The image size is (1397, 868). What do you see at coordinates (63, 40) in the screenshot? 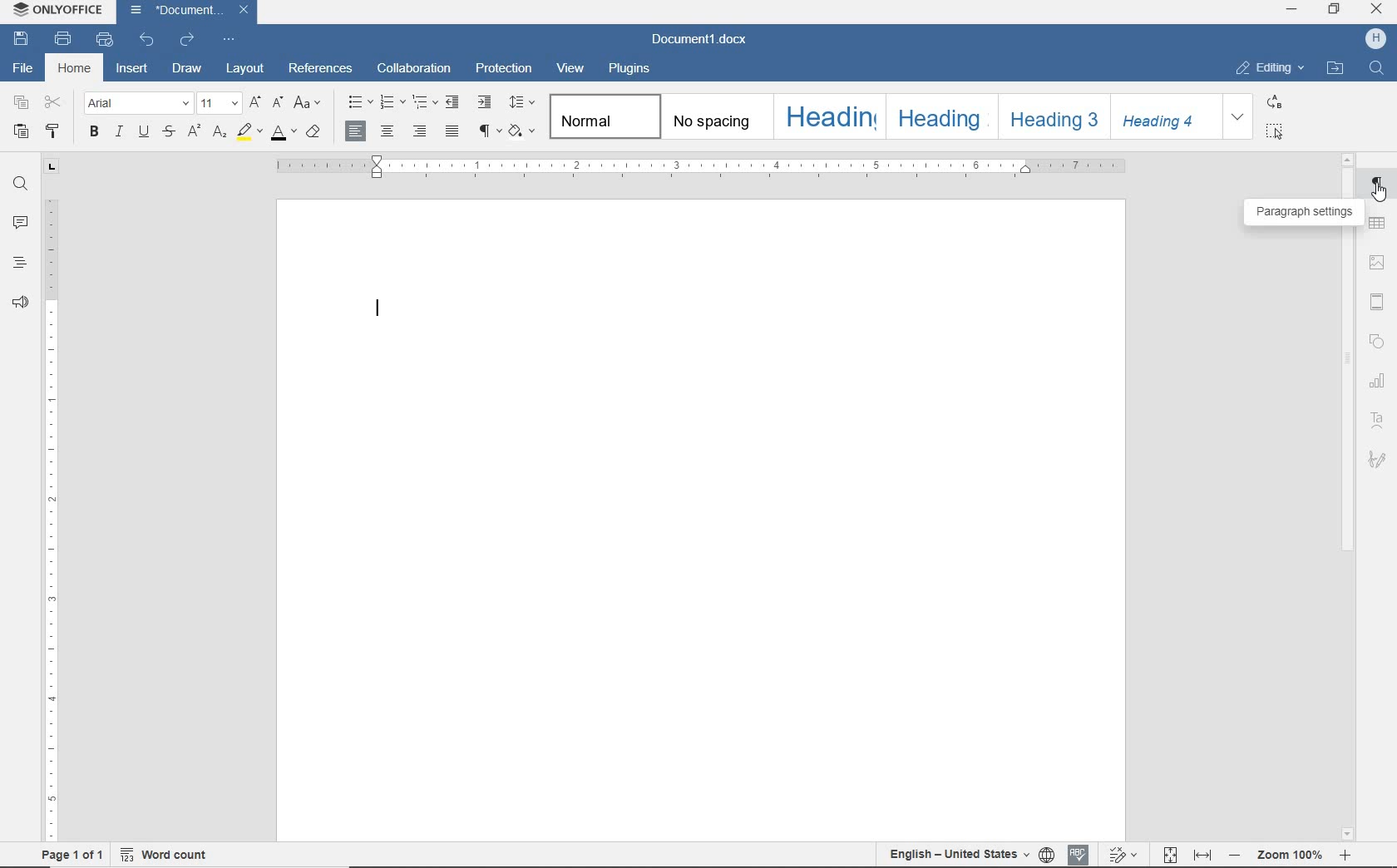
I see `print file` at bounding box center [63, 40].